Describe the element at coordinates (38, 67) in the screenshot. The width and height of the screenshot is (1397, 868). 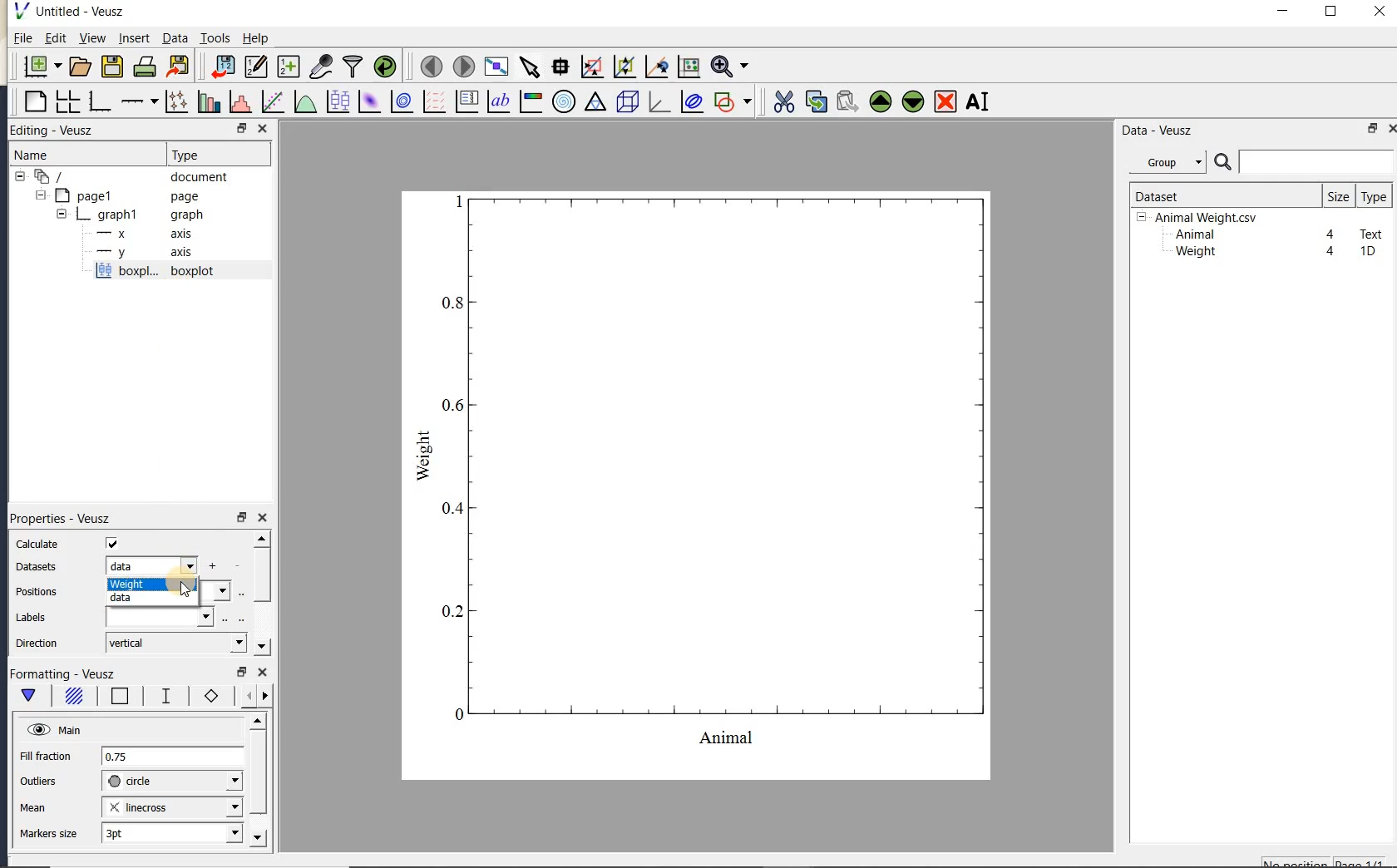
I see `new document` at that location.